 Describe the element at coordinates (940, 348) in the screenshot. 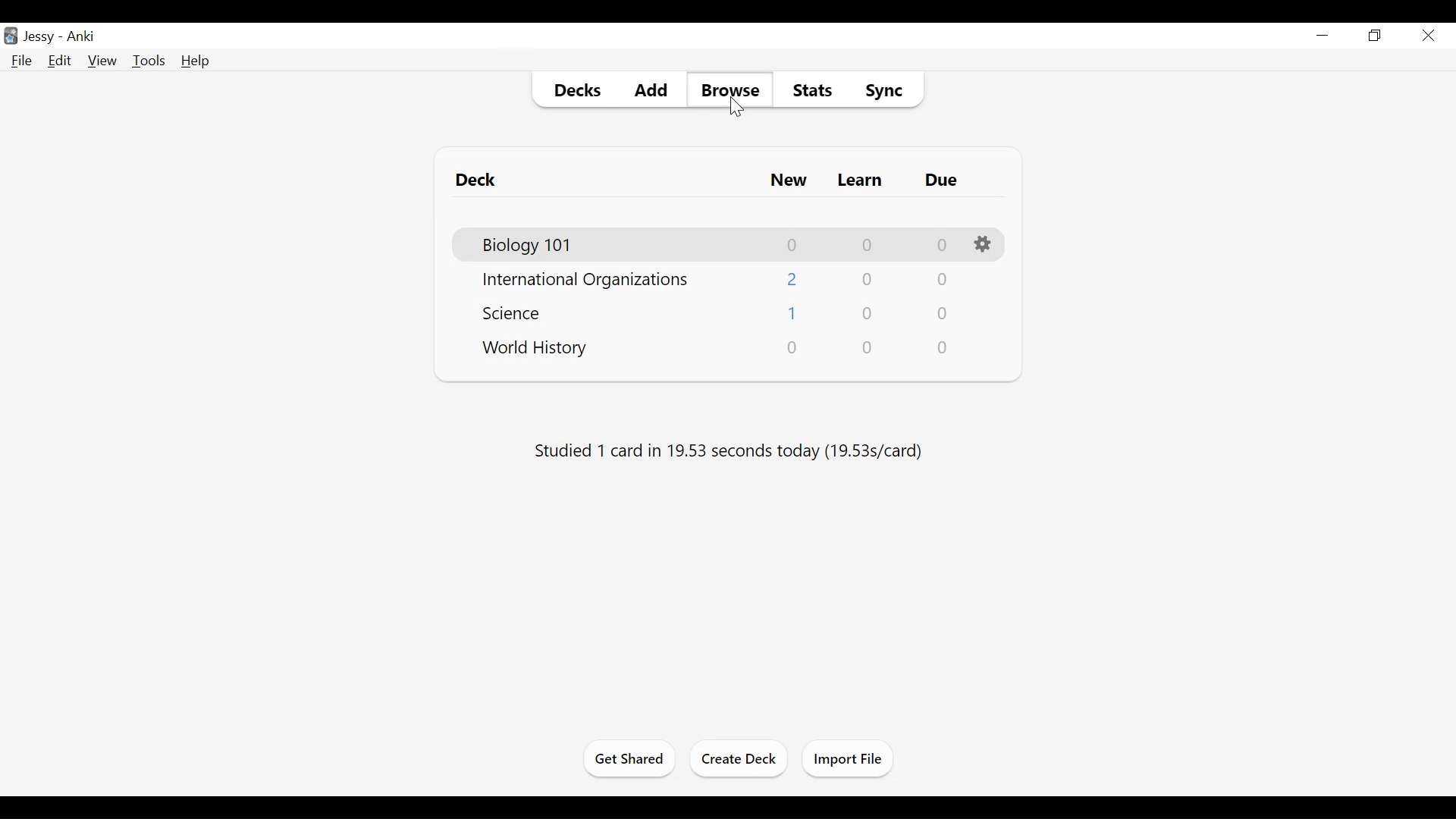

I see `Due Card Count` at that location.